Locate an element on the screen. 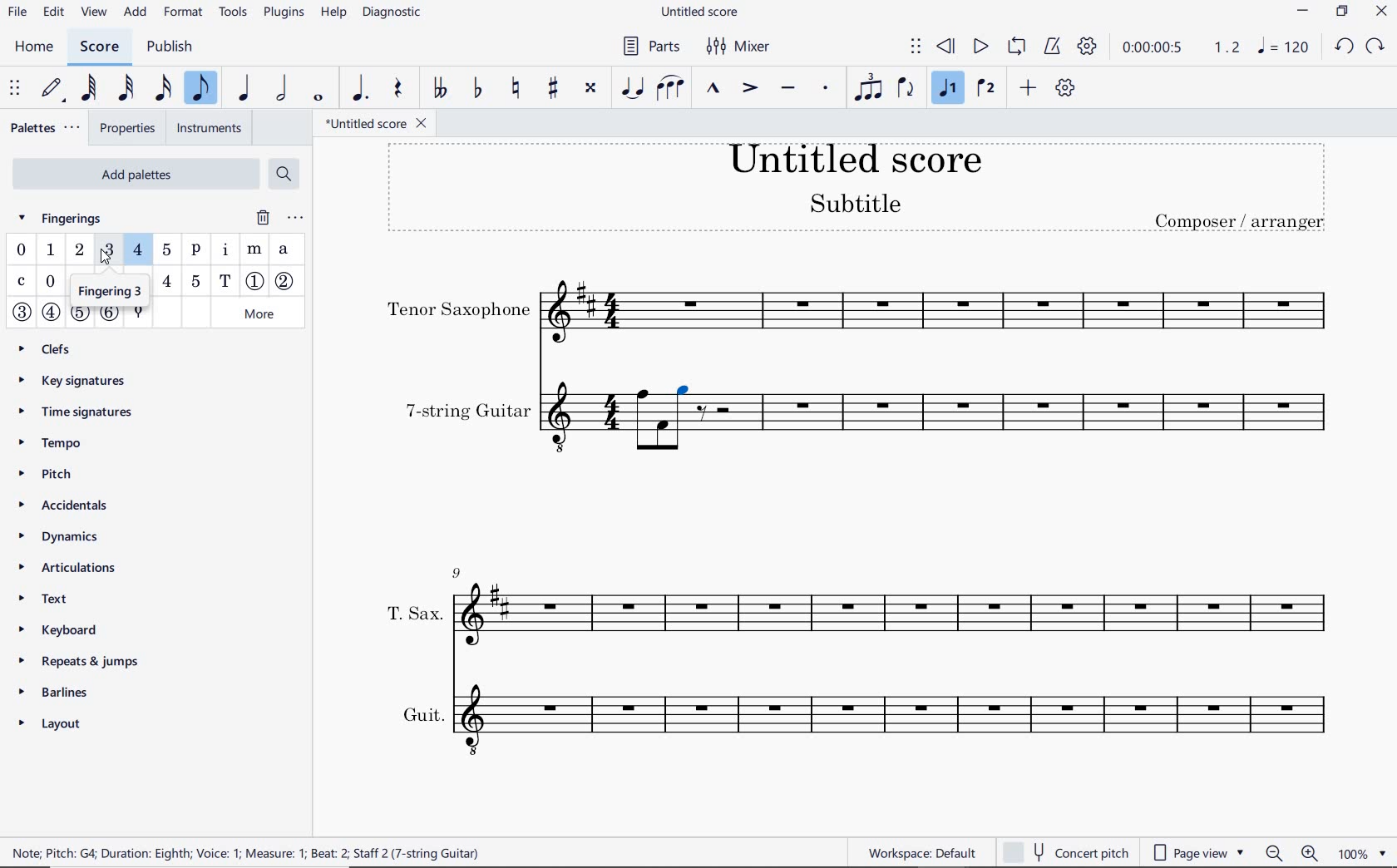 The image size is (1397, 868). fingerings 0 is located at coordinates (21, 250).